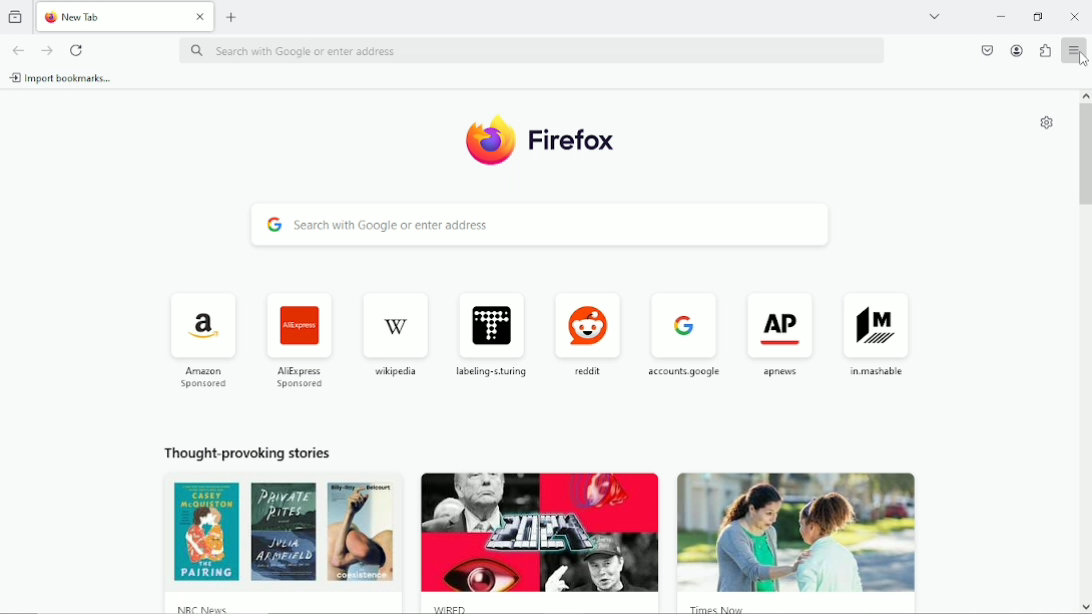  What do you see at coordinates (941, 17) in the screenshot?
I see `list all tabs` at bounding box center [941, 17].